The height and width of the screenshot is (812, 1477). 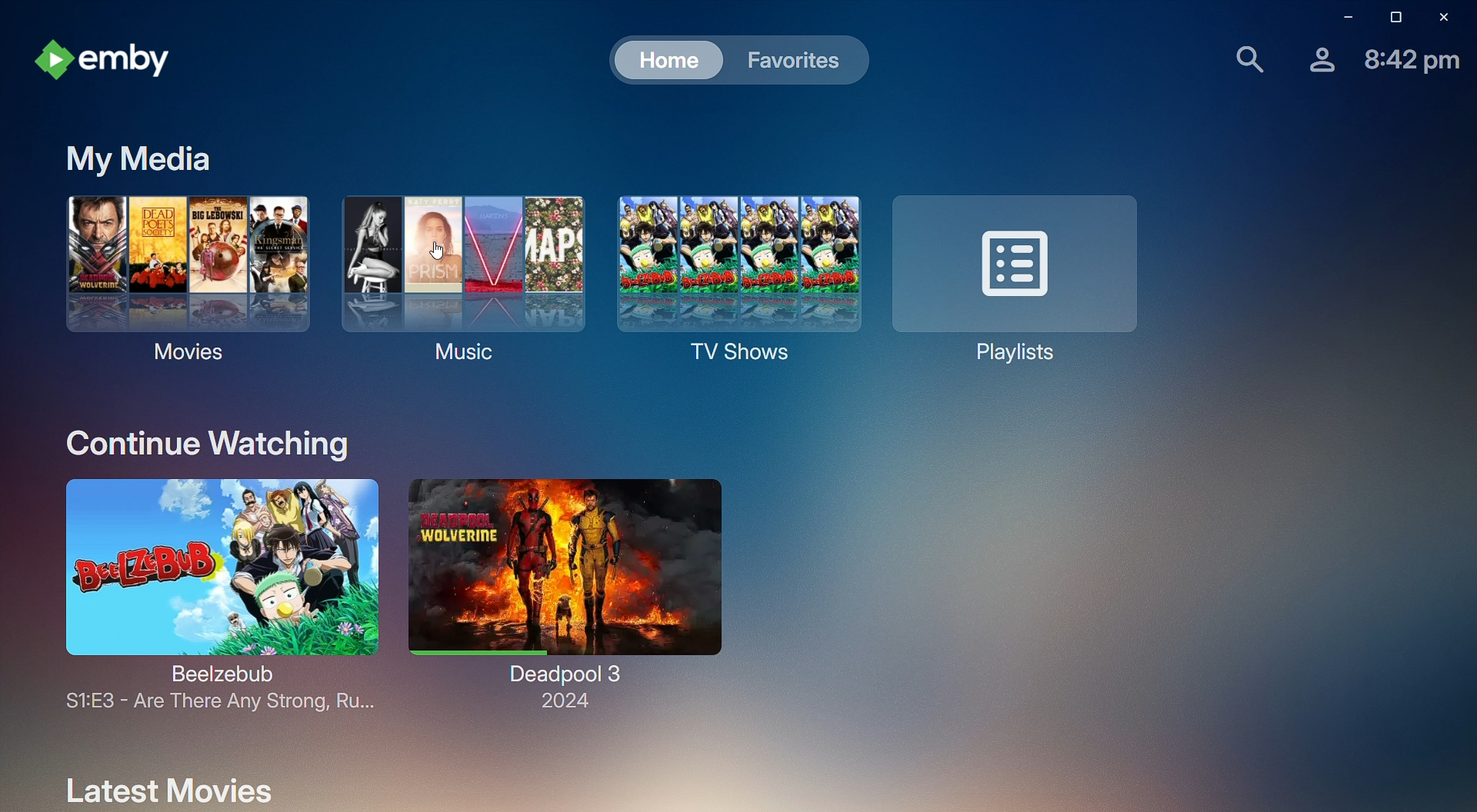 I want to click on Minimize, so click(x=1339, y=18).